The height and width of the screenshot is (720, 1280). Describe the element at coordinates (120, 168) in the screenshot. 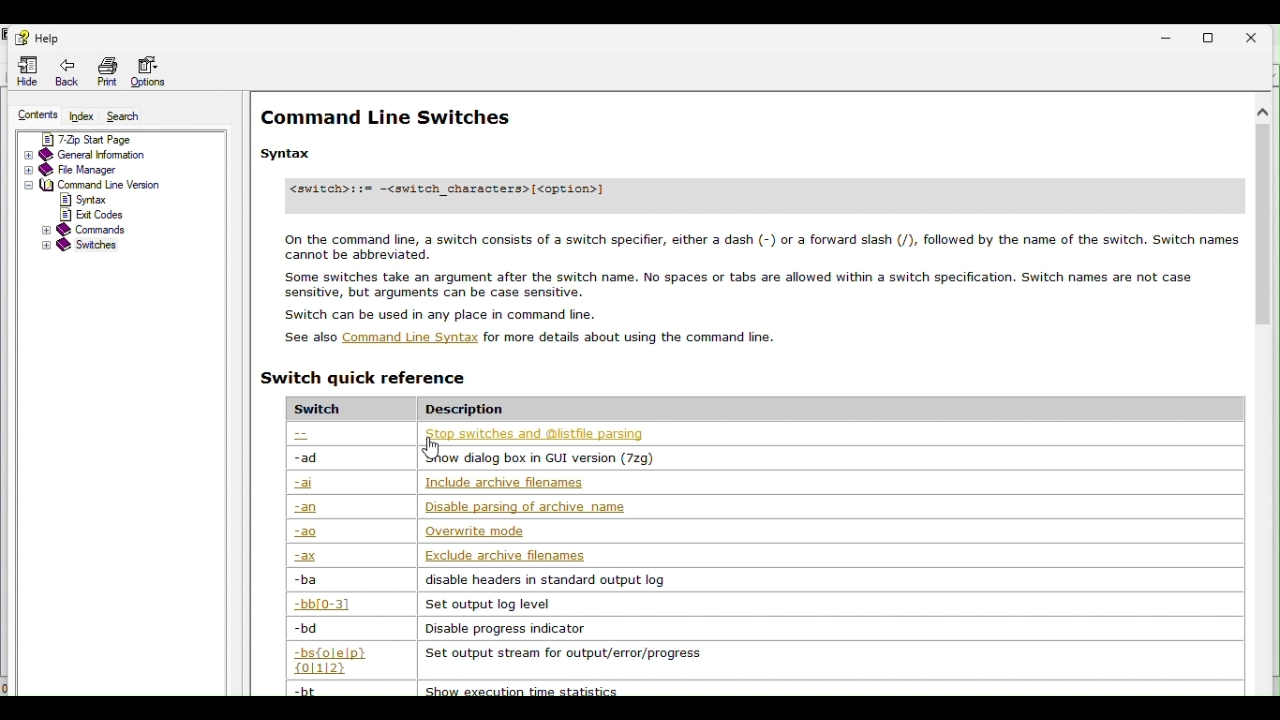

I see `File manager` at that location.